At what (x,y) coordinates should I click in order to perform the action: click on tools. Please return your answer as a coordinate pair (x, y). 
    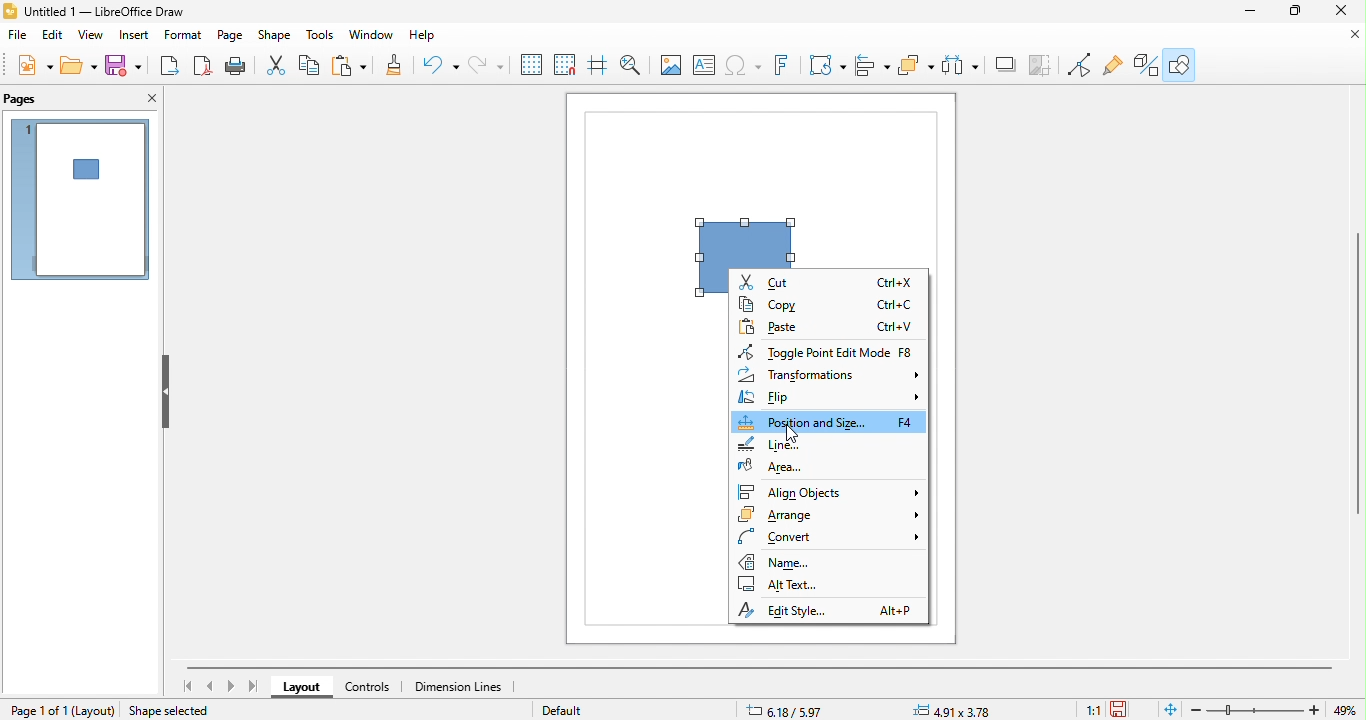
    Looking at the image, I should click on (321, 37).